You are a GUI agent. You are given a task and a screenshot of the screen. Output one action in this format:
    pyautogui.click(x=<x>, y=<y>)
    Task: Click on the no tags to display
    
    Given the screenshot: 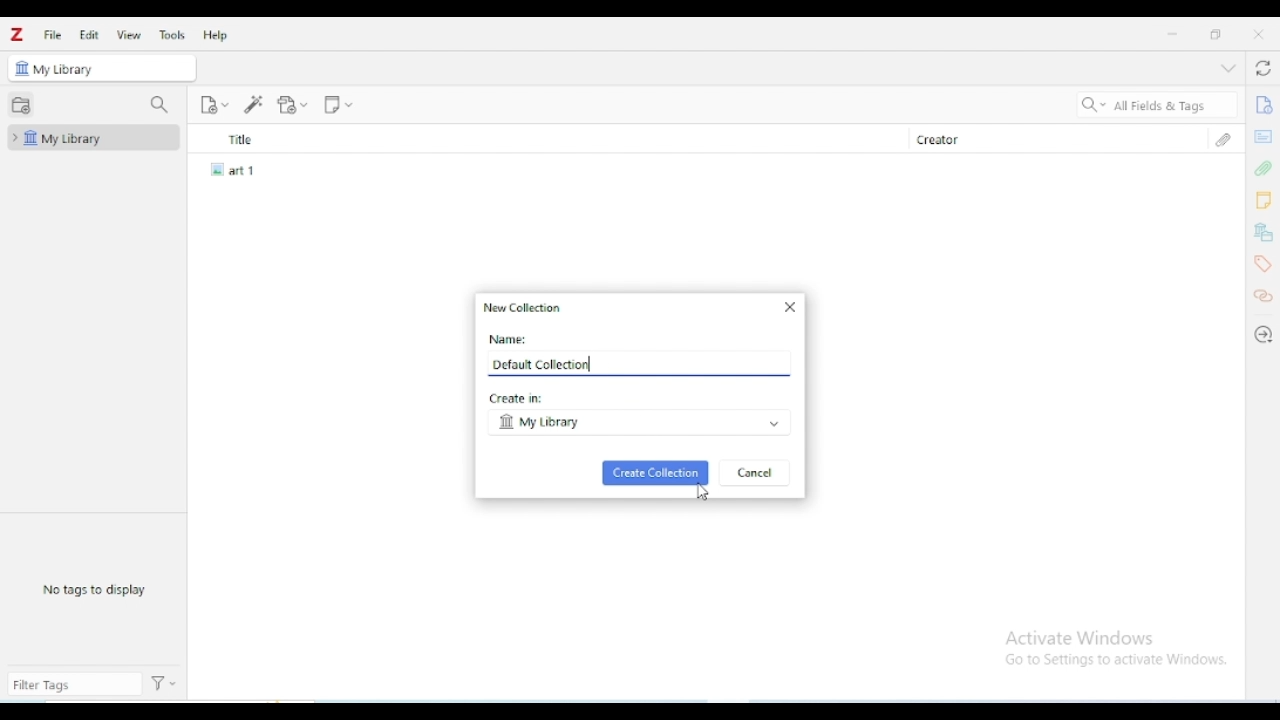 What is the action you would take?
    pyautogui.click(x=94, y=588)
    